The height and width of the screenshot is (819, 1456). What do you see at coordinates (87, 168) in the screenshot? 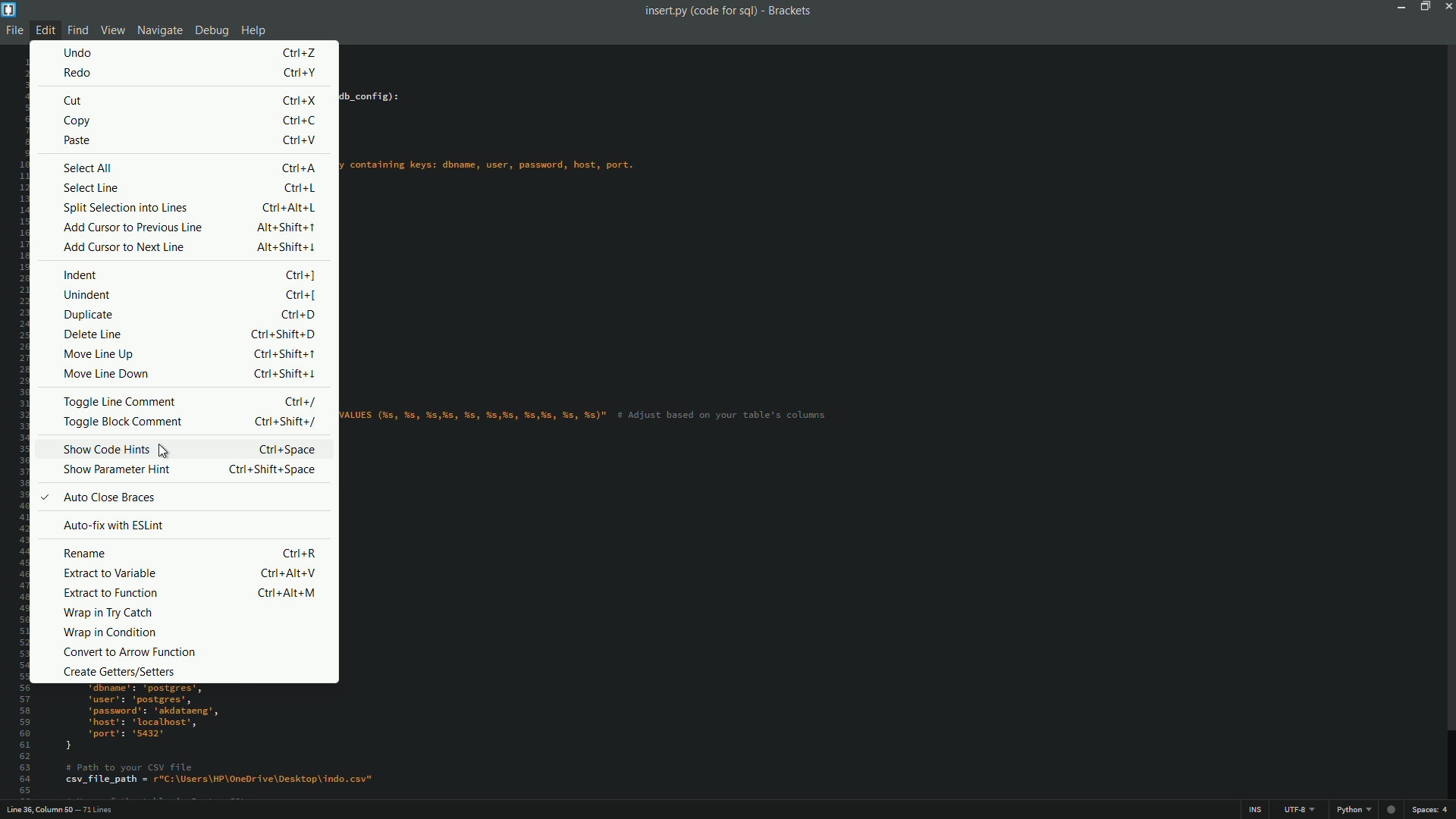
I see `select all` at bounding box center [87, 168].